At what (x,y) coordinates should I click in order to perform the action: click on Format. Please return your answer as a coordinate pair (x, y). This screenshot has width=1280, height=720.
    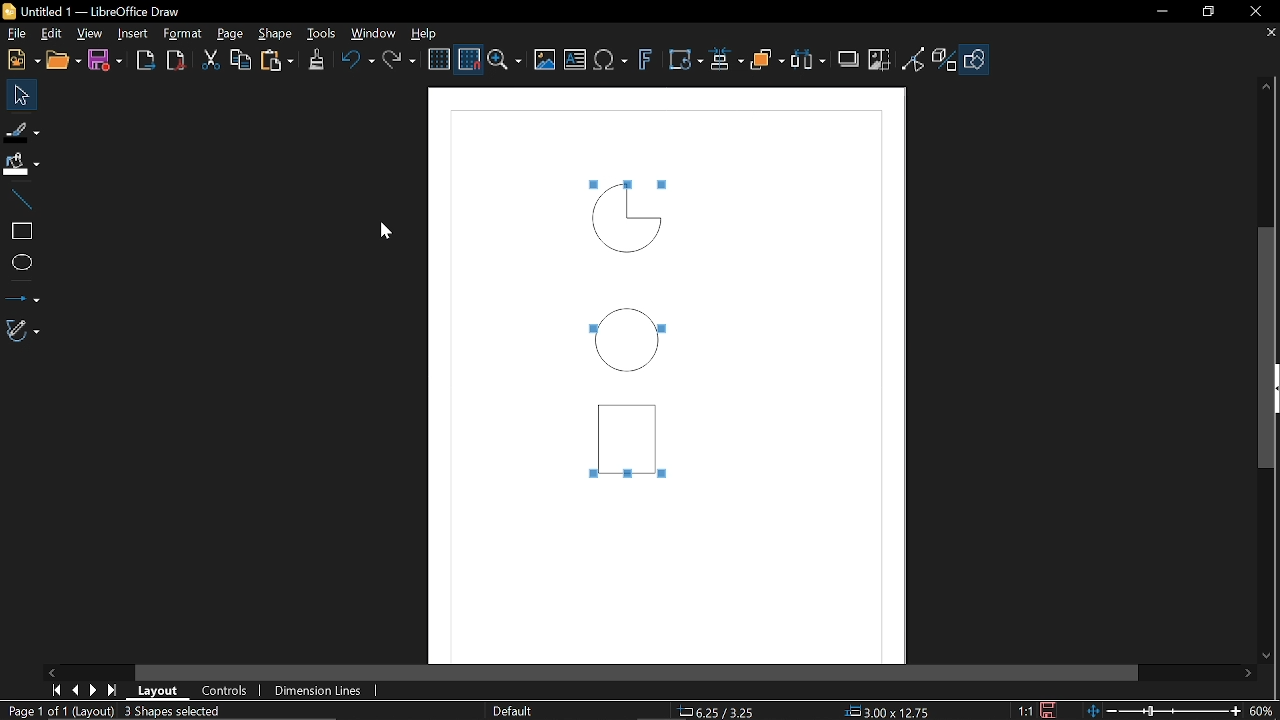
    Looking at the image, I should click on (182, 34).